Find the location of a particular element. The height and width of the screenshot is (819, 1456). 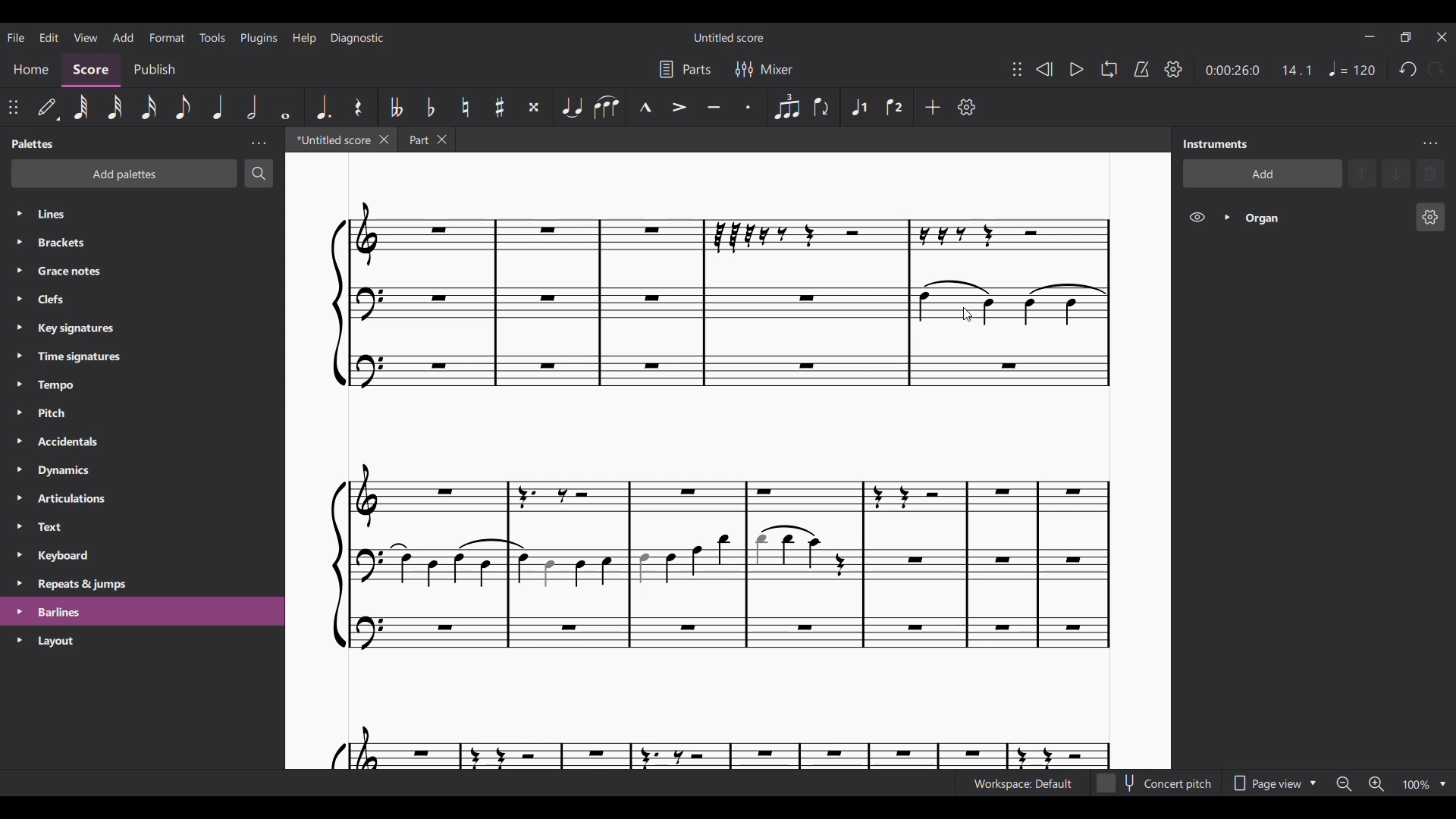

Flip direction is located at coordinates (822, 107).